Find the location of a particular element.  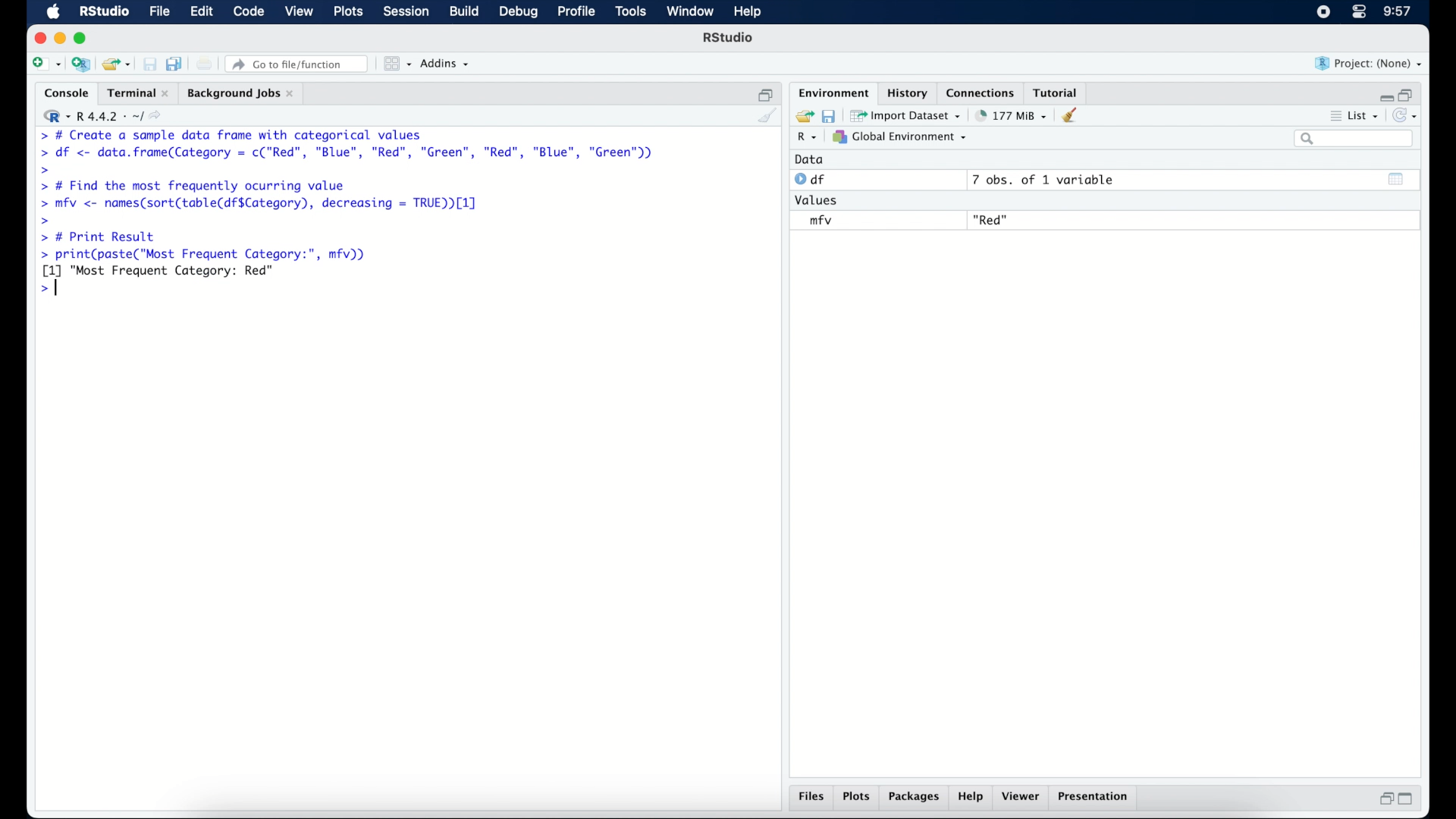

minimzie is located at coordinates (59, 38).